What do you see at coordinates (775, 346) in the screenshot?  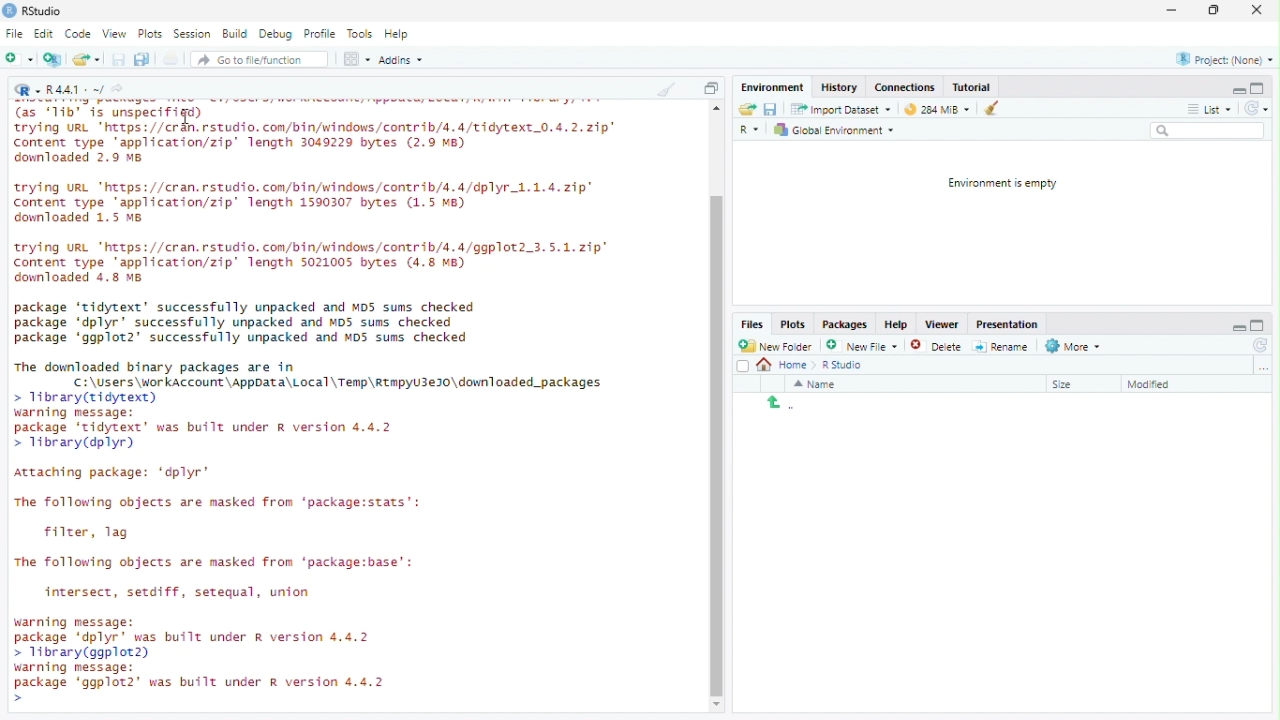 I see `New Folder` at bounding box center [775, 346].